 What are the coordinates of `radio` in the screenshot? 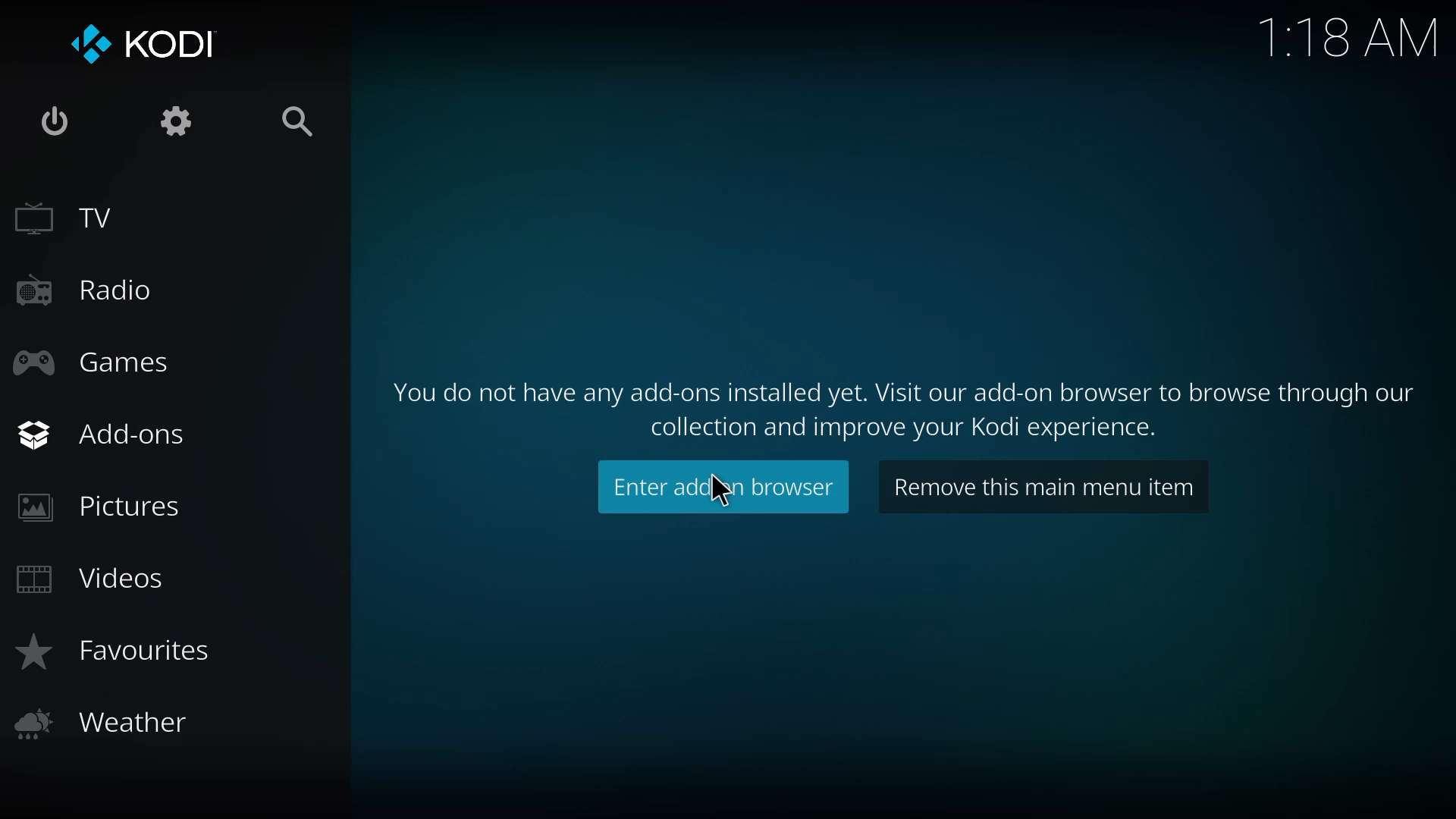 It's located at (89, 293).